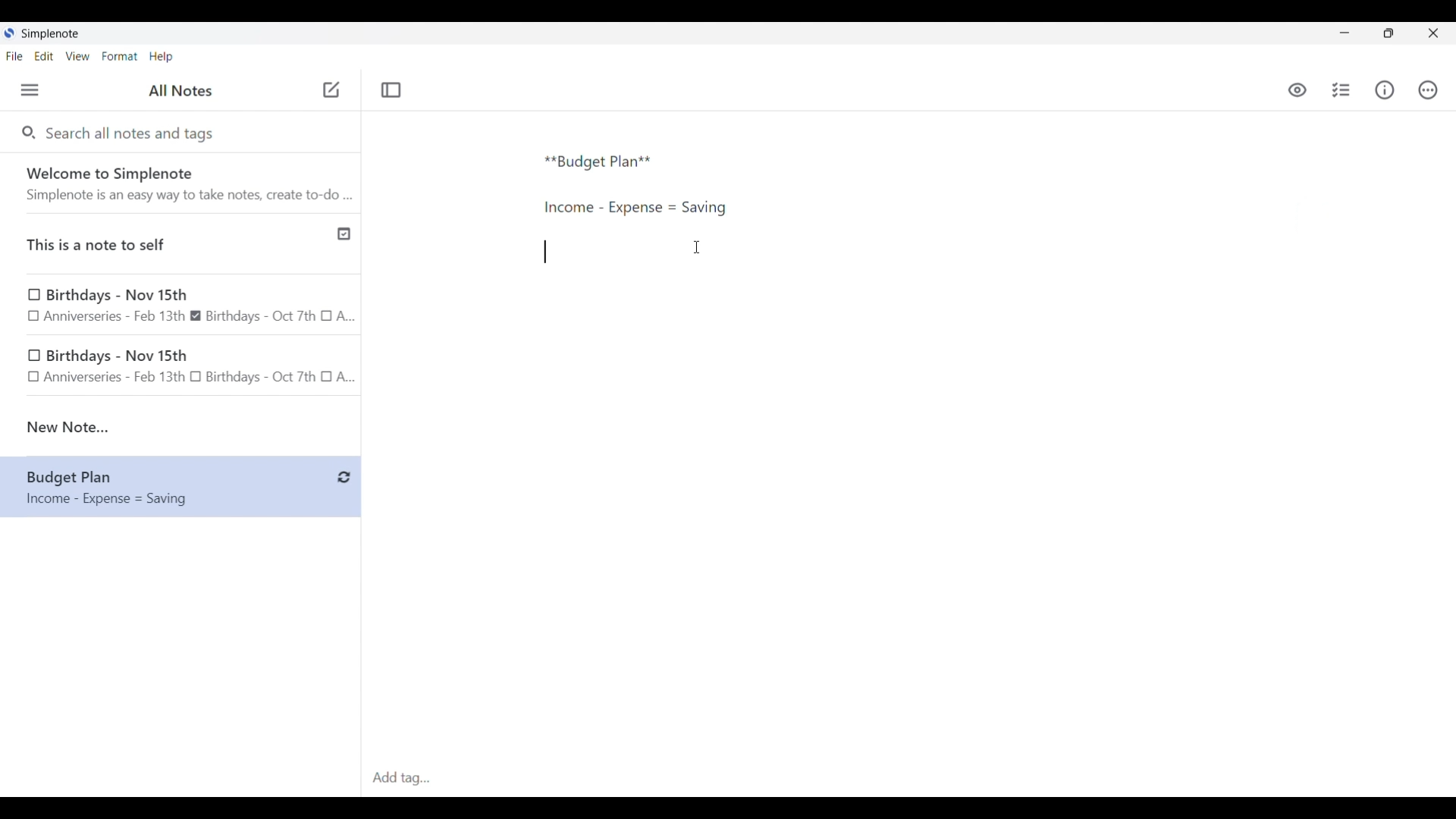  What do you see at coordinates (52, 34) in the screenshot?
I see `Software name` at bounding box center [52, 34].